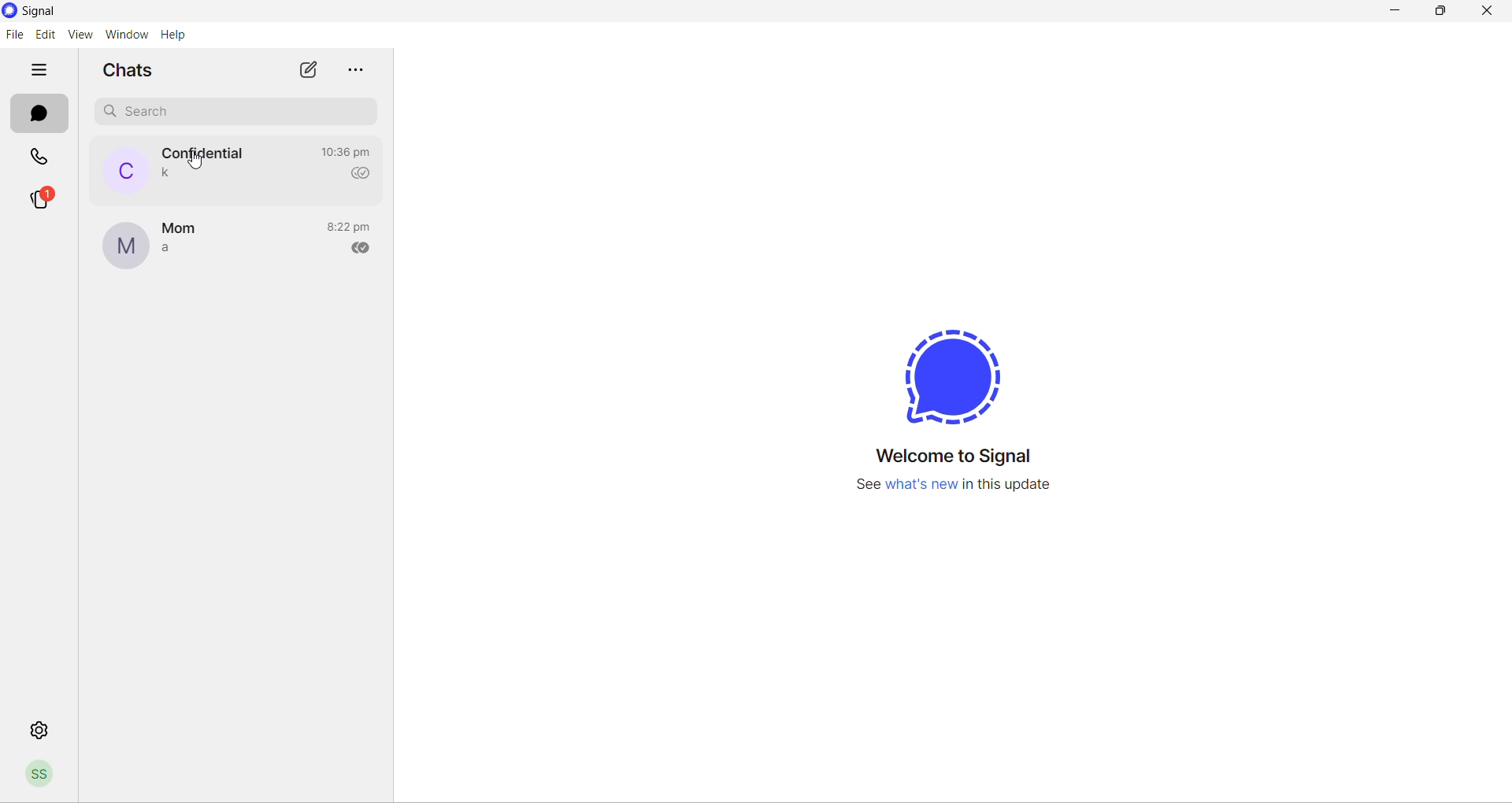 The height and width of the screenshot is (803, 1512). I want to click on profile picture, so click(129, 246).